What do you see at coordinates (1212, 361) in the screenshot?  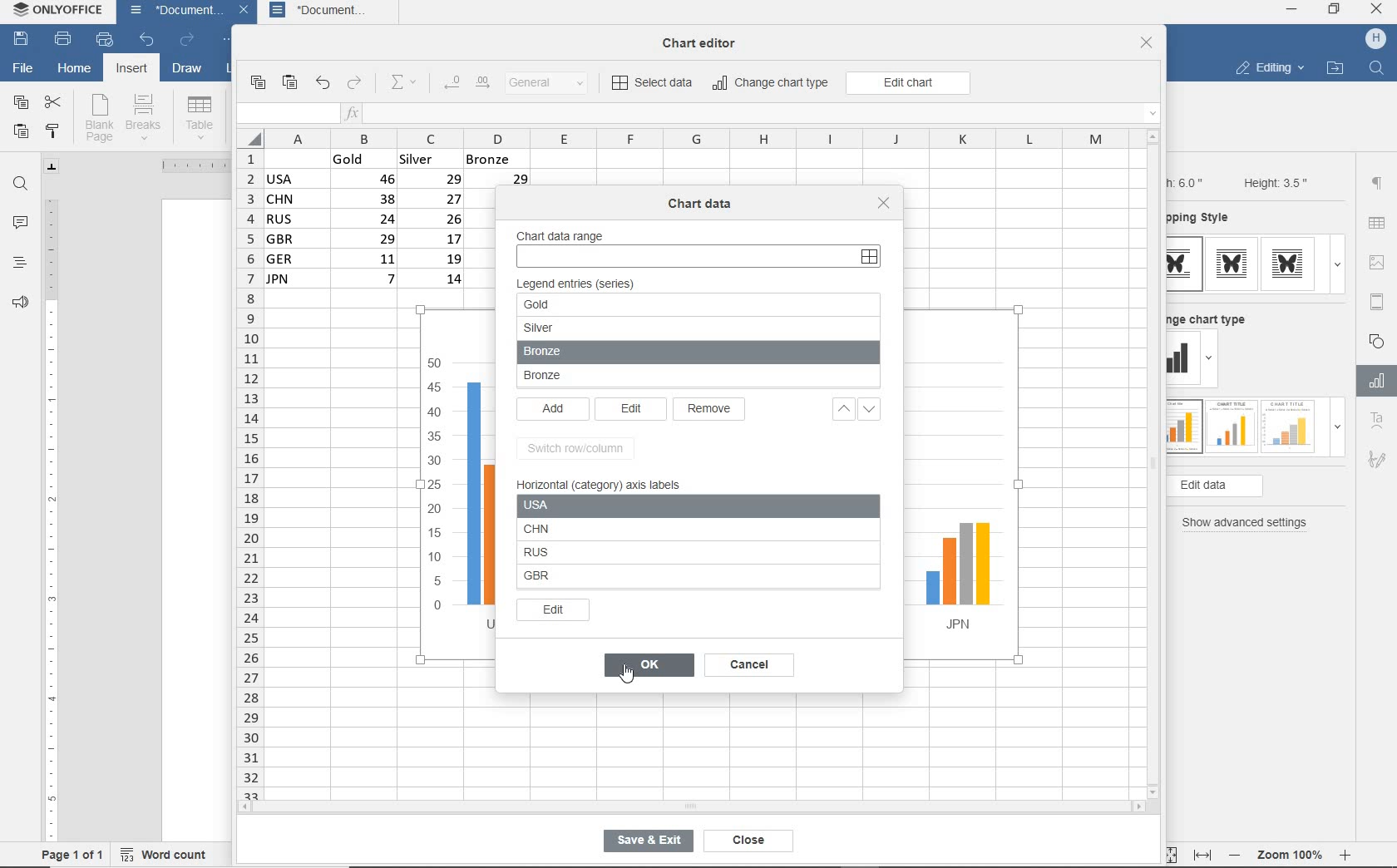 I see `dropdown` at bounding box center [1212, 361].